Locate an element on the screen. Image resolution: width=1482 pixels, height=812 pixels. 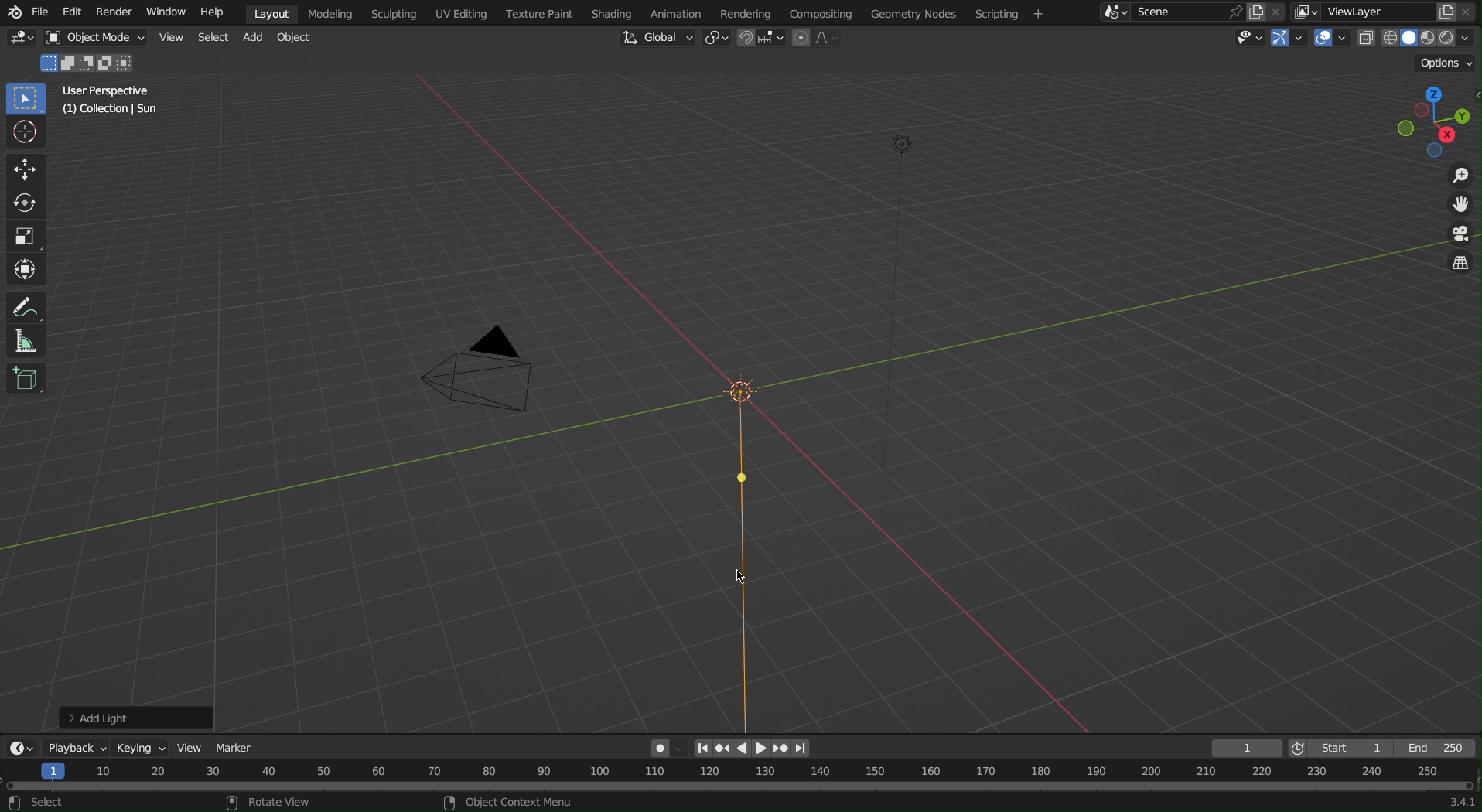
Select is located at coordinates (43, 803).